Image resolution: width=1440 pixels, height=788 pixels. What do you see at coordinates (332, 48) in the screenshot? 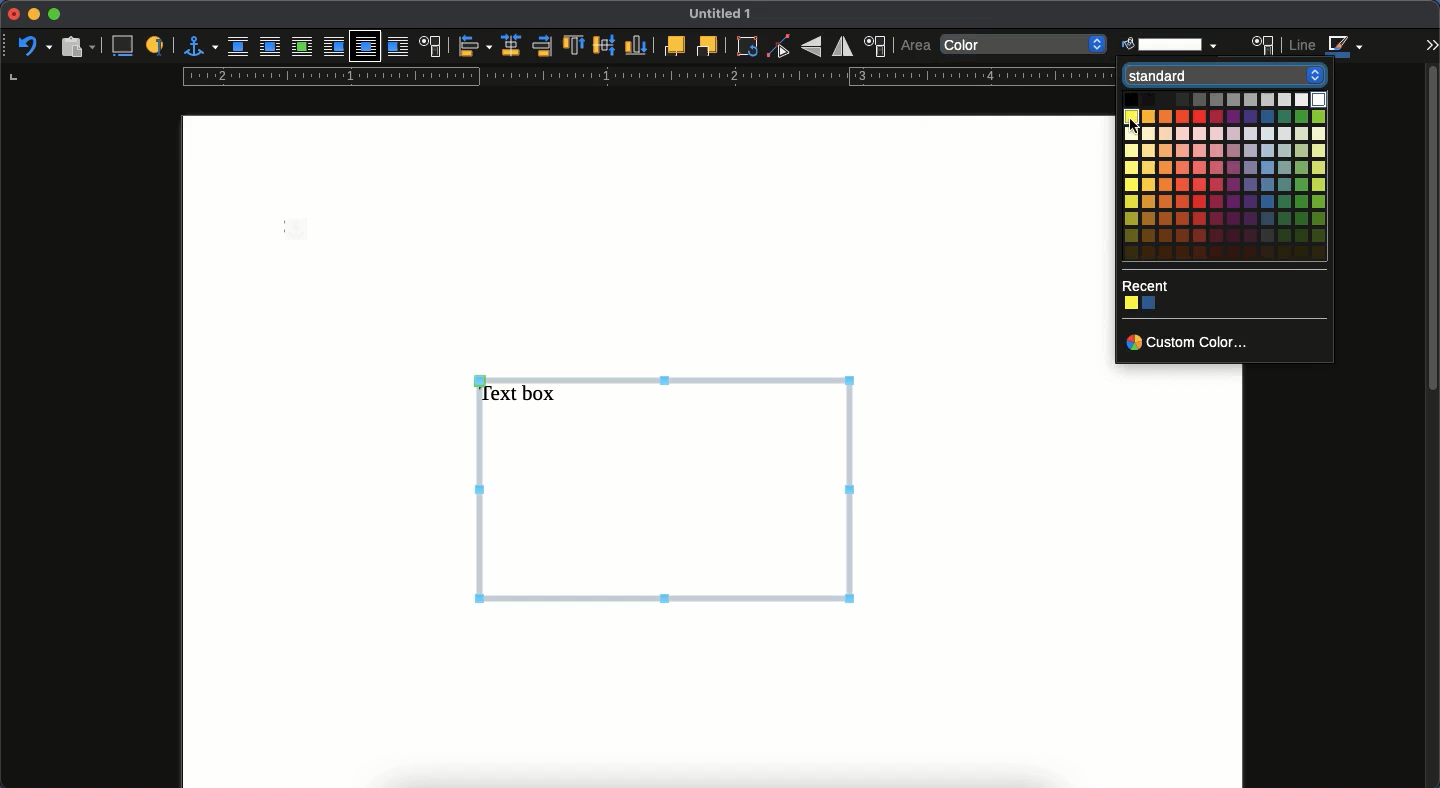
I see `before` at bounding box center [332, 48].